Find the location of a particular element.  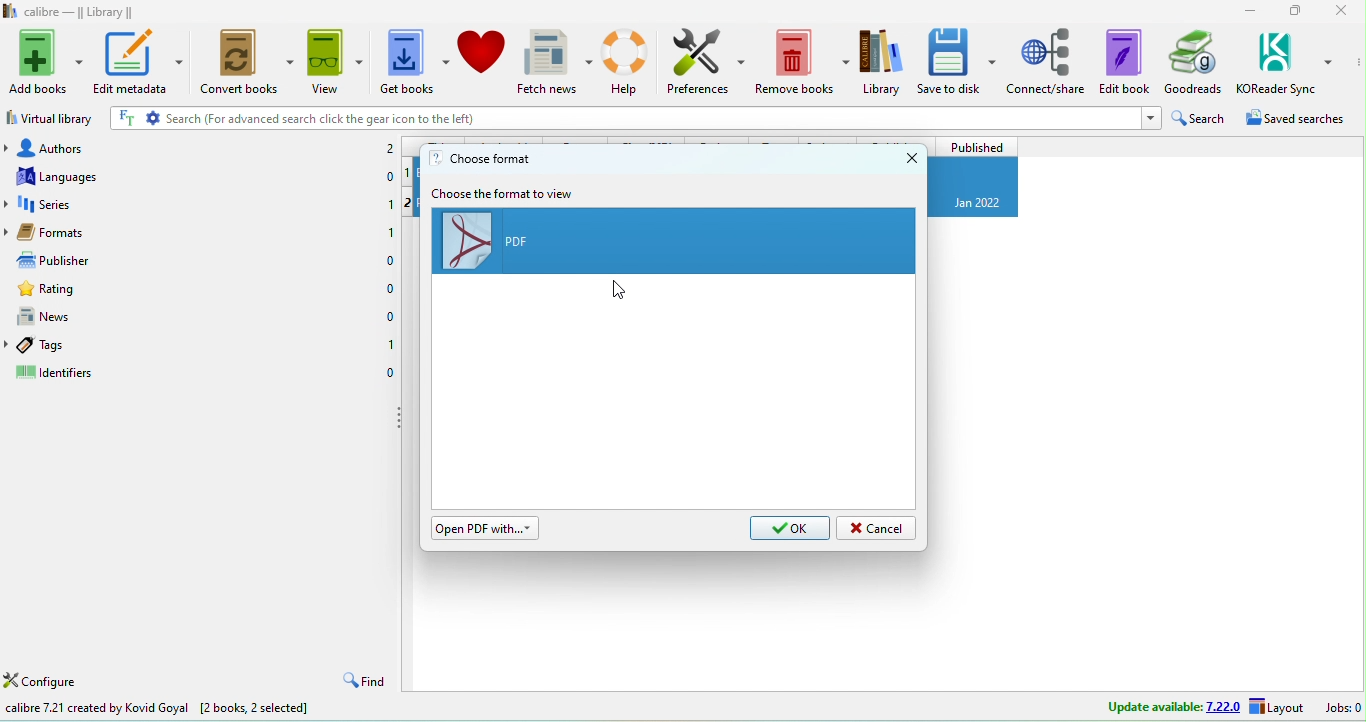

1 is located at coordinates (389, 232).